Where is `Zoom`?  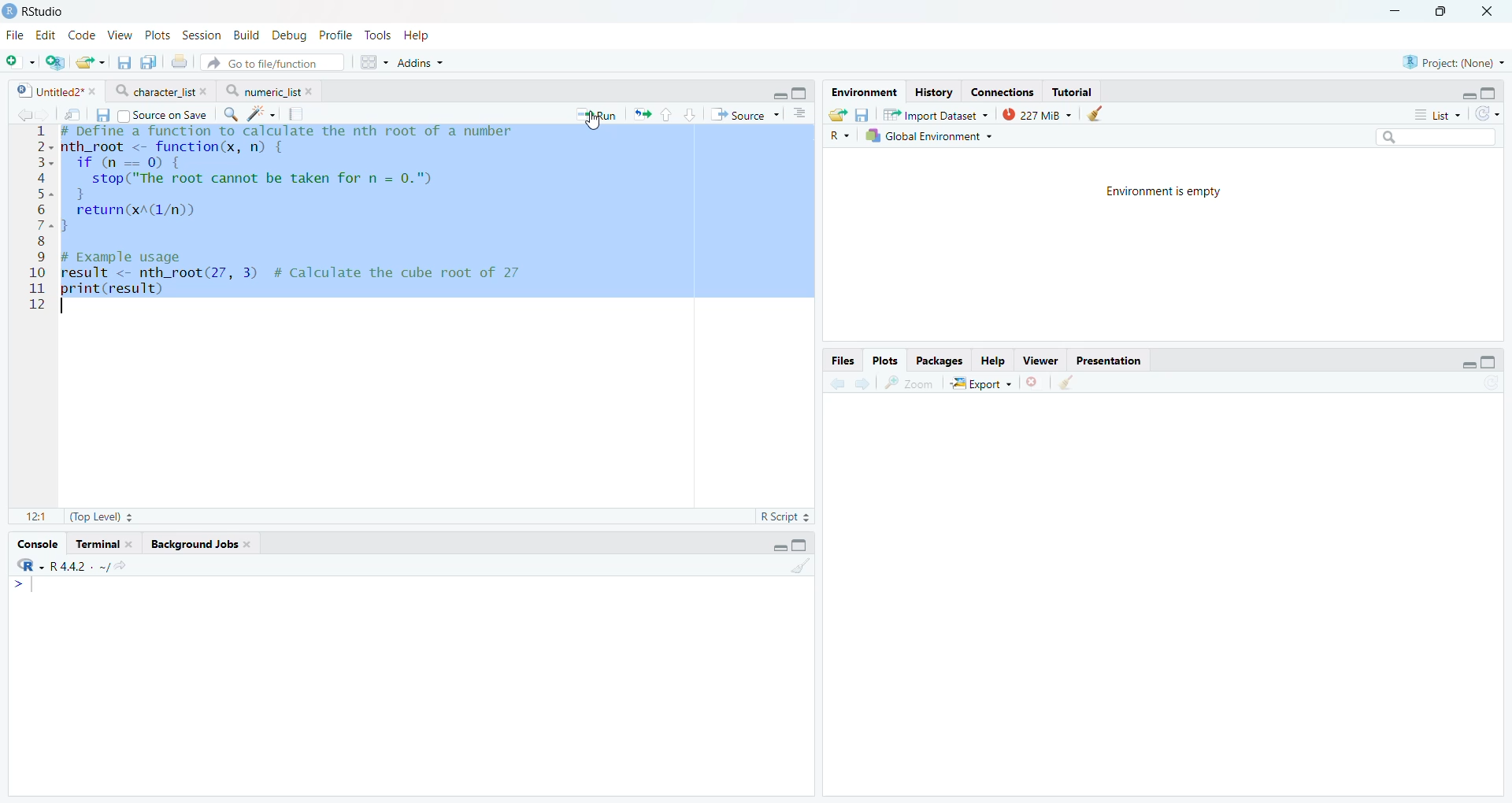 Zoom is located at coordinates (913, 383).